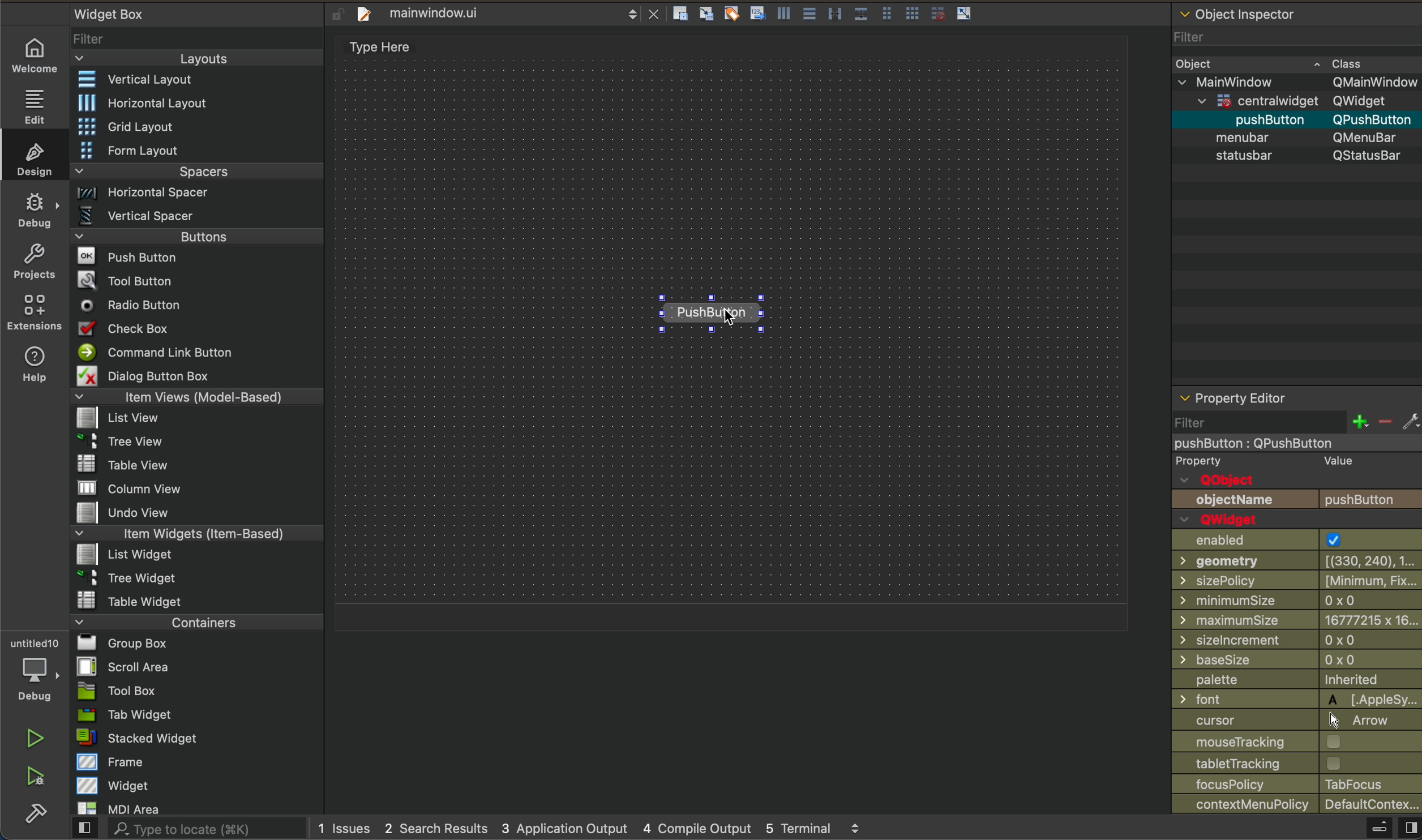 This screenshot has width=1422, height=840. Describe the element at coordinates (1306, 139) in the screenshot. I see `` at that location.